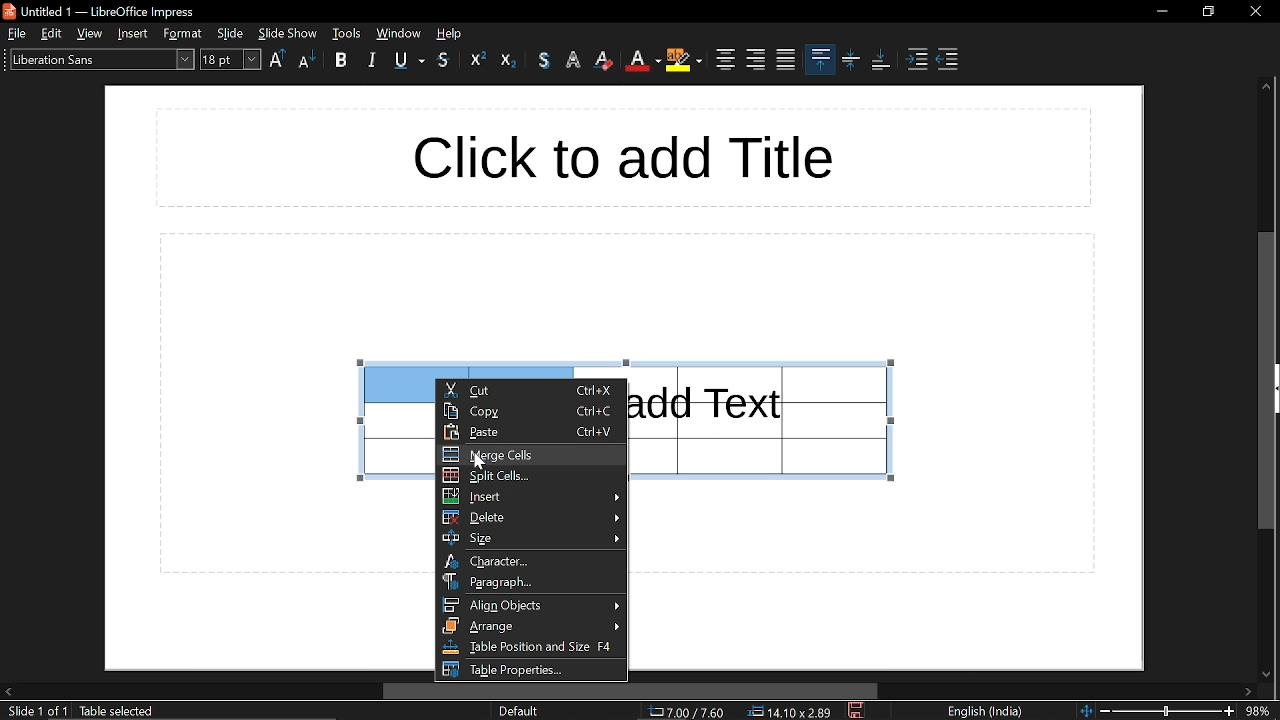 The width and height of the screenshot is (1280, 720). What do you see at coordinates (288, 33) in the screenshot?
I see `slide show` at bounding box center [288, 33].